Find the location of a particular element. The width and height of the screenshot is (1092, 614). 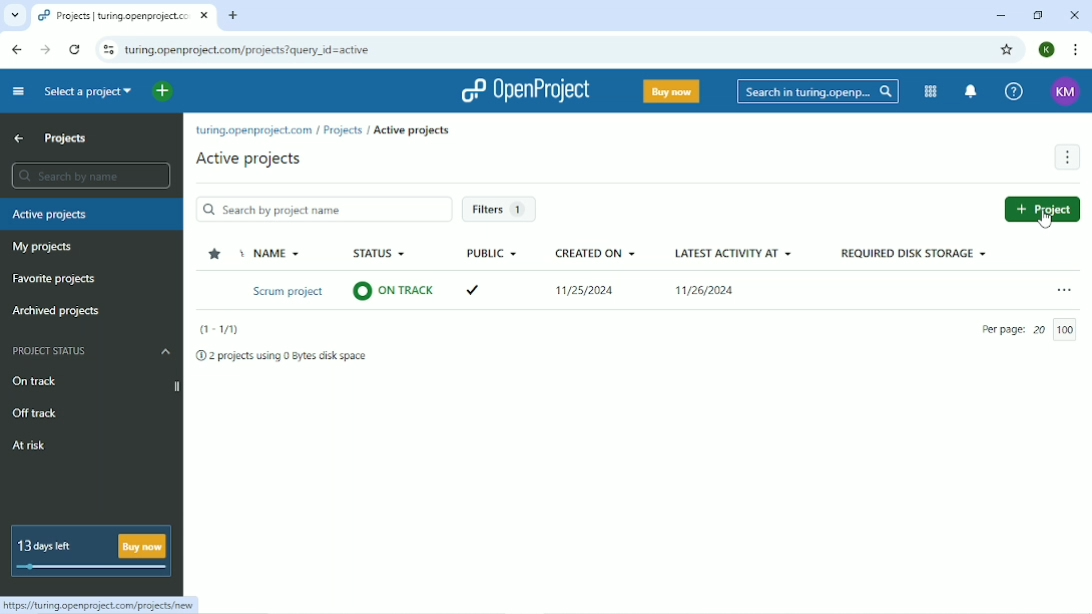

Off track is located at coordinates (38, 414).